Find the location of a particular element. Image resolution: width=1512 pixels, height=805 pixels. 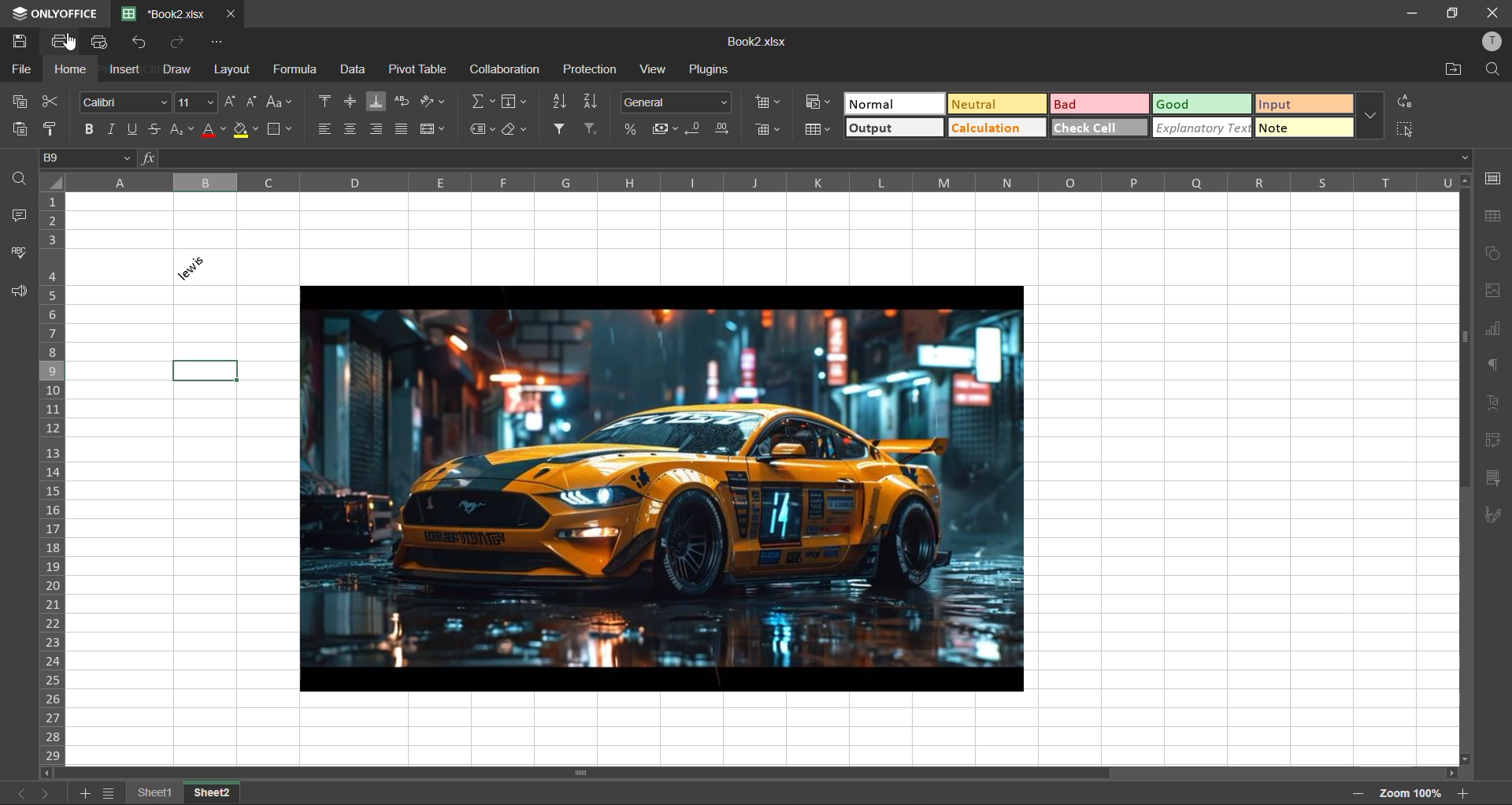

scroll down is located at coordinates (1466, 759).